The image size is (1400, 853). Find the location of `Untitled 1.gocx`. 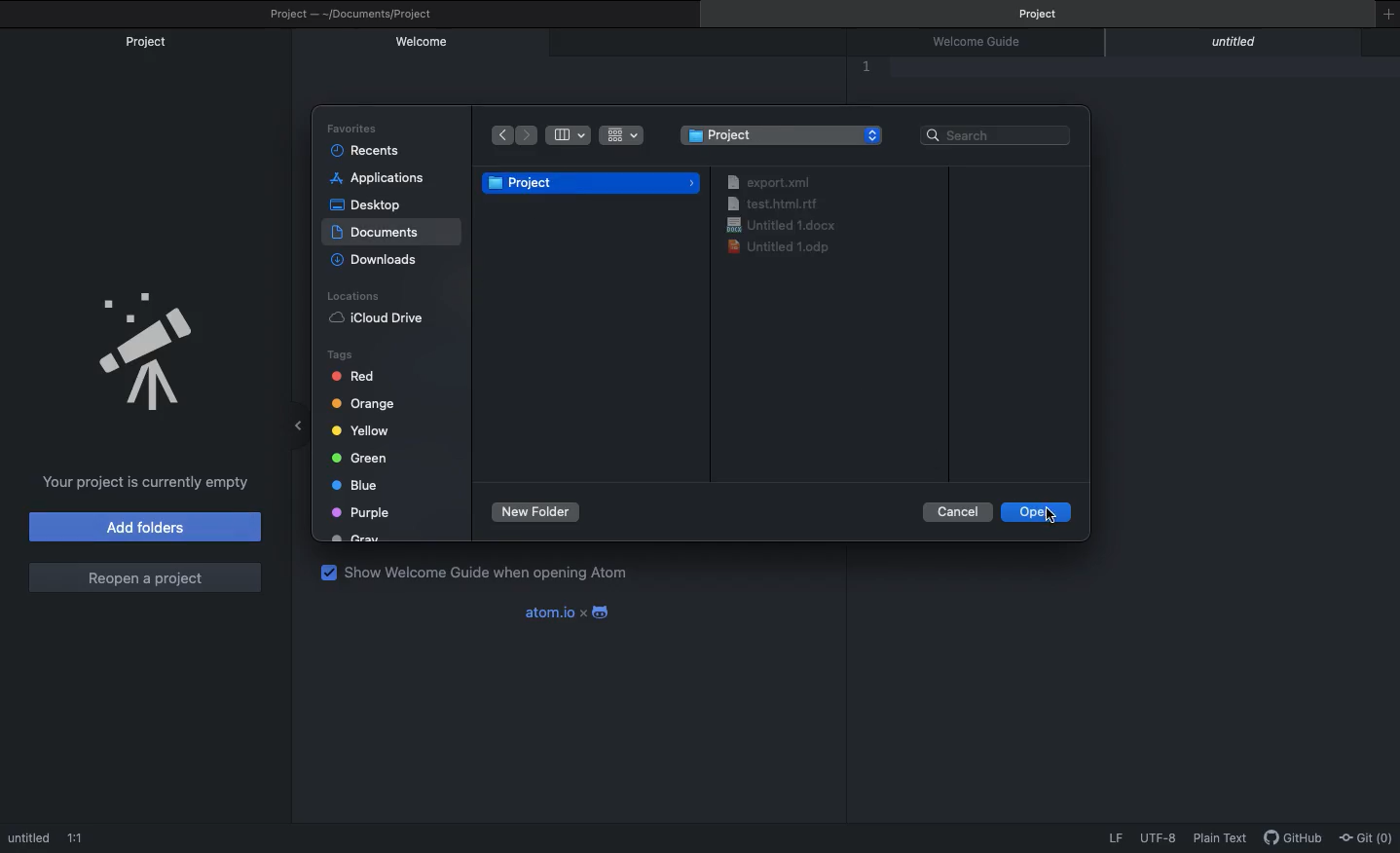

Untitled 1.gocx is located at coordinates (781, 225).